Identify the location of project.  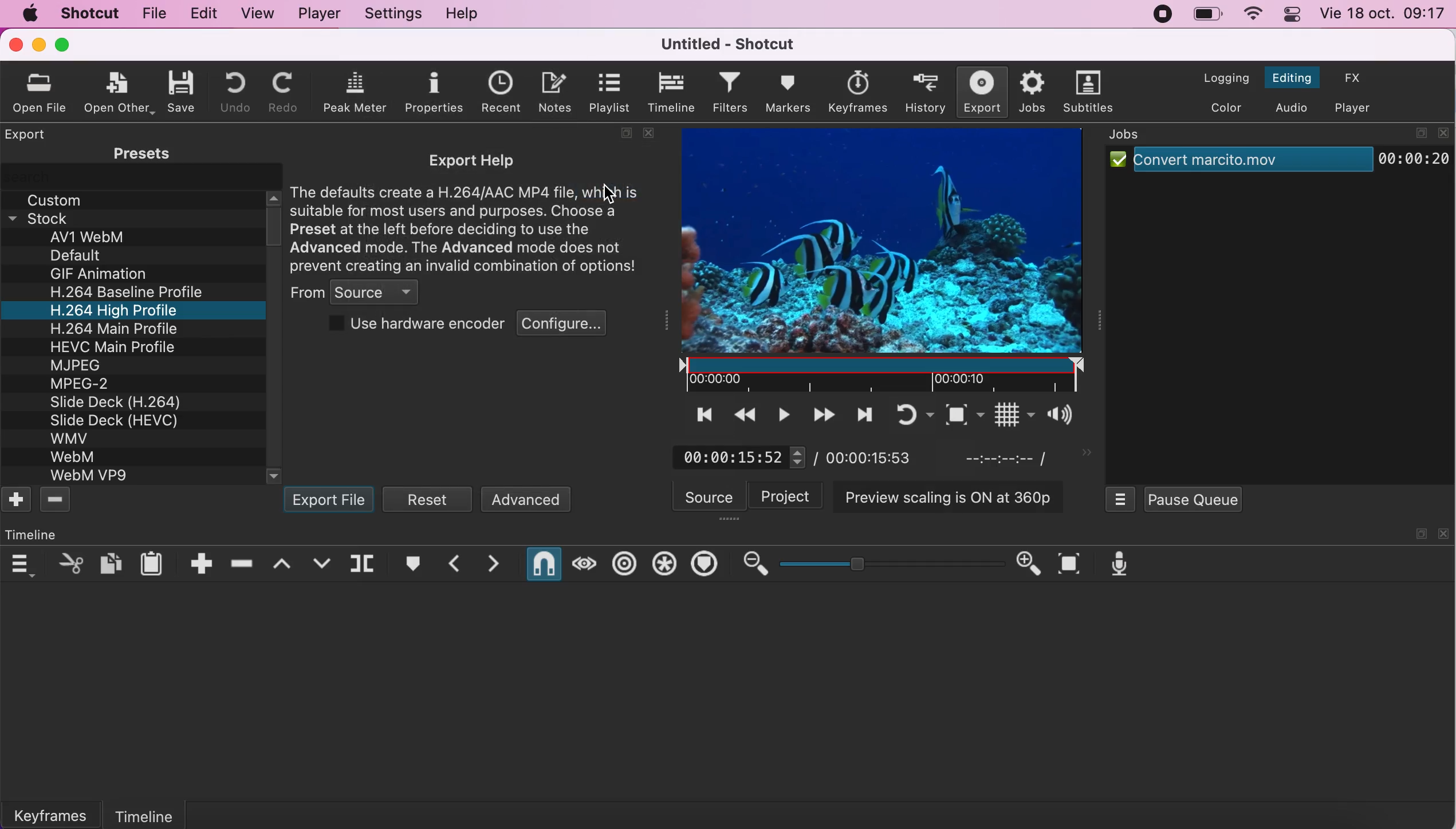
(788, 495).